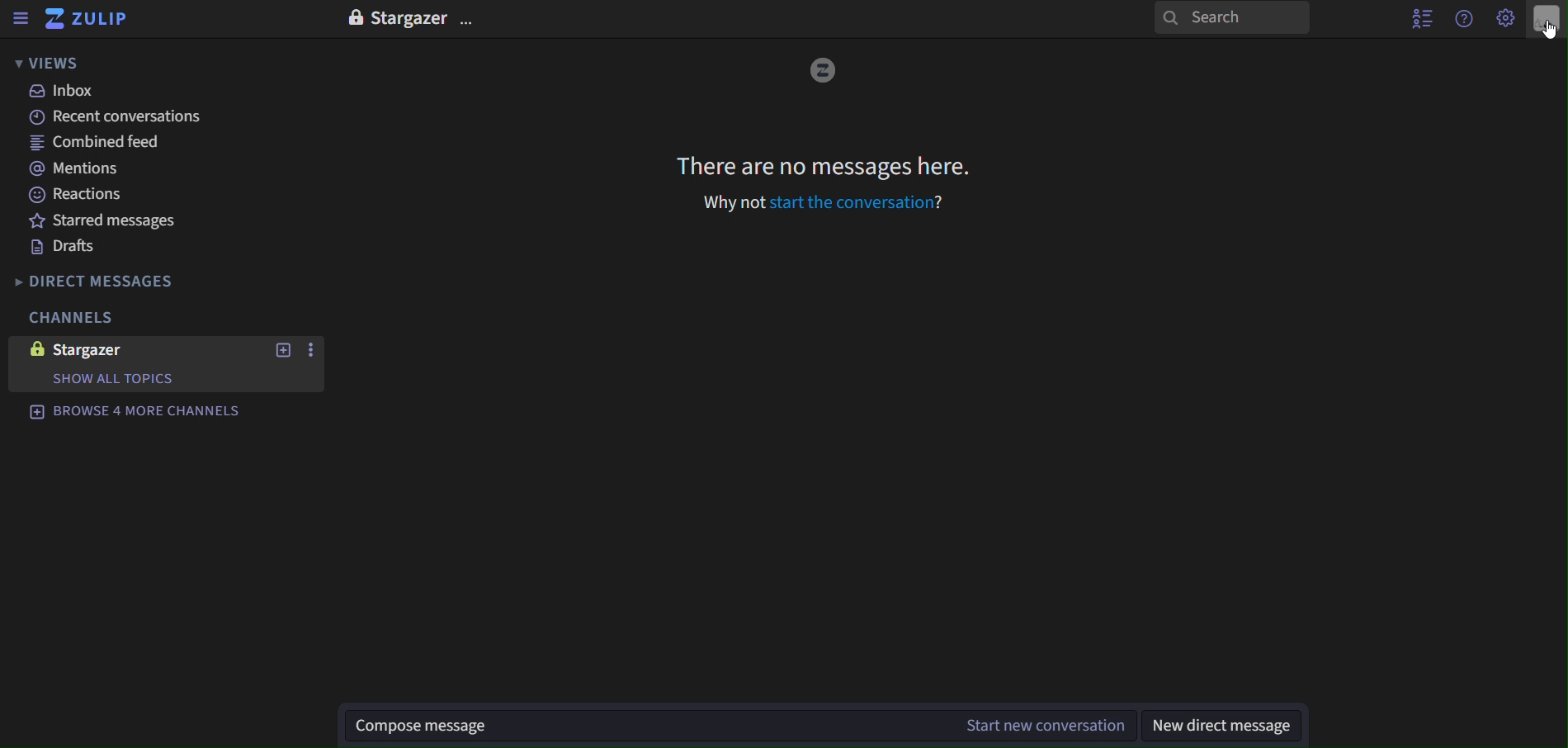 This screenshot has width=1568, height=748. I want to click on show all topics, so click(130, 378).